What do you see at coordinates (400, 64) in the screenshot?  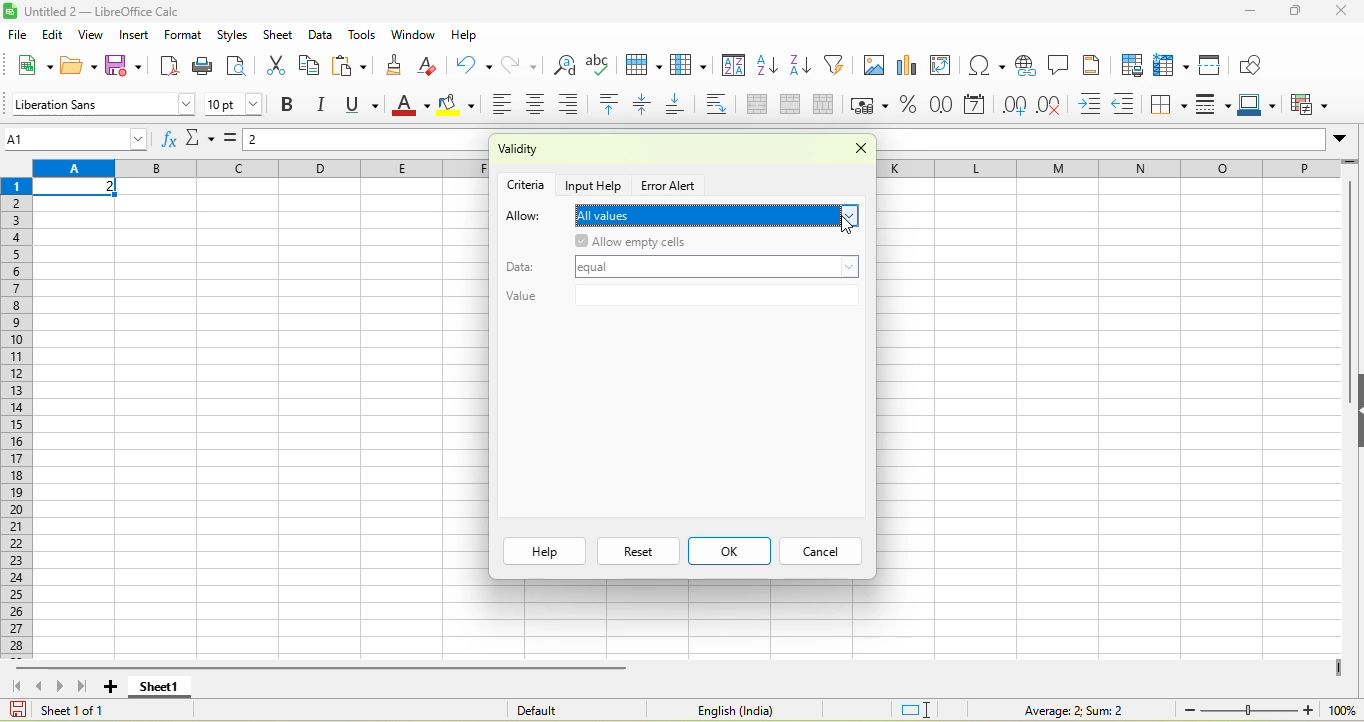 I see `clone formatting` at bounding box center [400, 64].